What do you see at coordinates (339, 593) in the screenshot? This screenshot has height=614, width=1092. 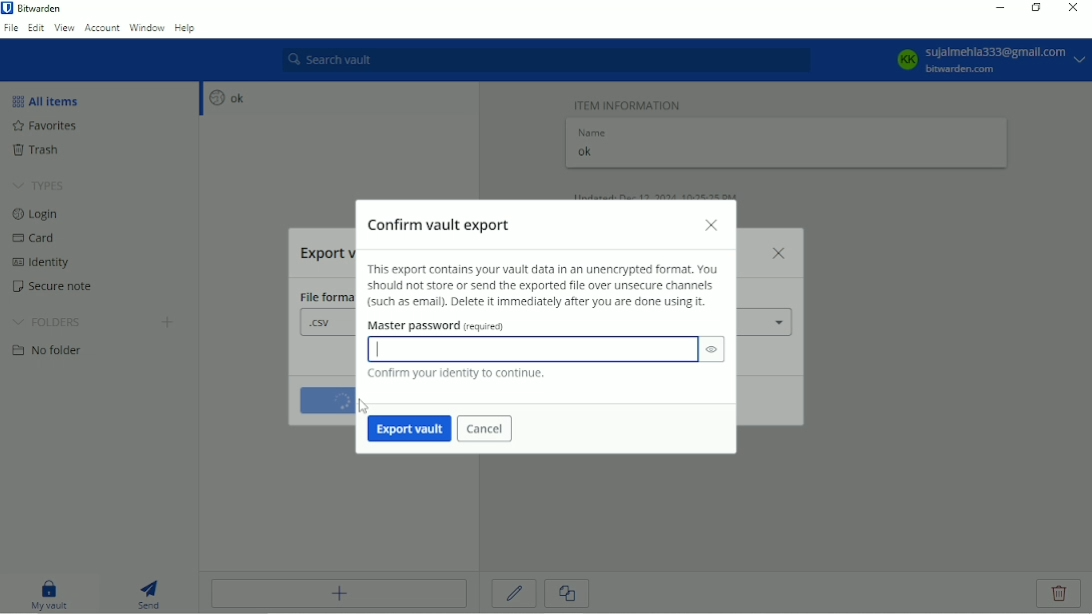 I see `Add item` at bounding box center [339, 593].